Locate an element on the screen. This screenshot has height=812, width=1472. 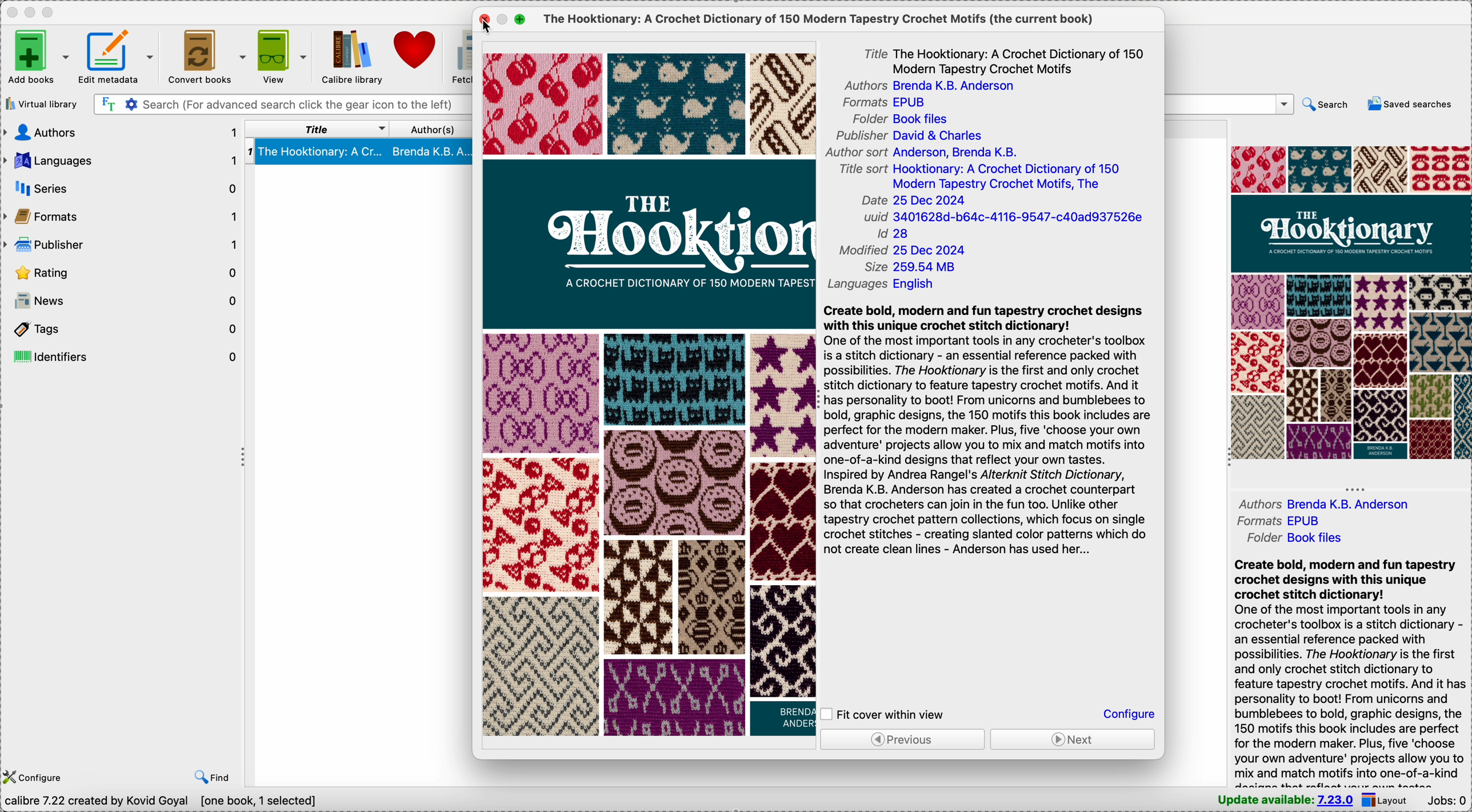
saved searches is located at coordinates (1413, 103).